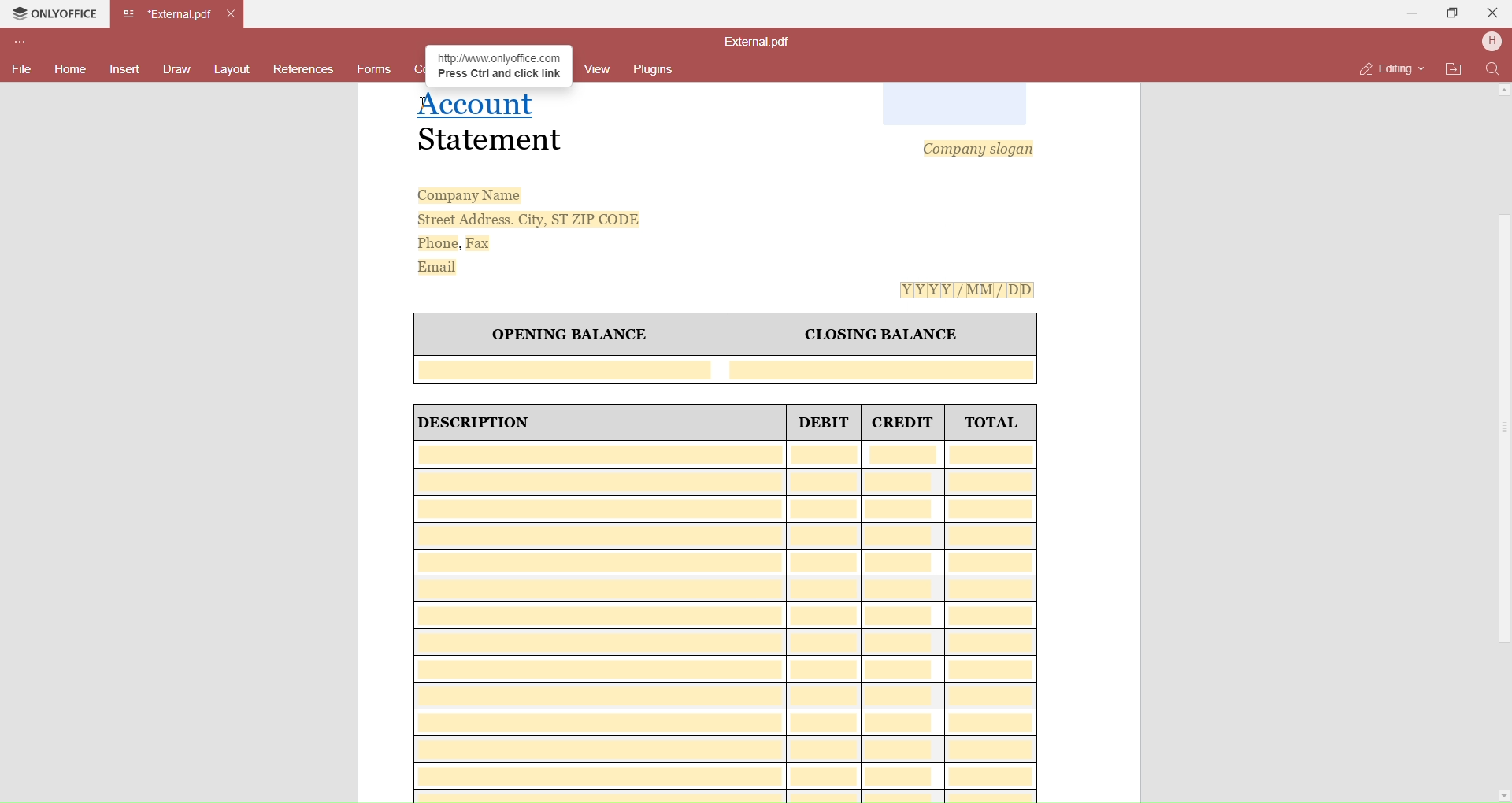 This screenshot has height=803, width=1512. Describe the element at coordinates (1501, 794) in the screenshot. I see `Scroll Down` at that location.